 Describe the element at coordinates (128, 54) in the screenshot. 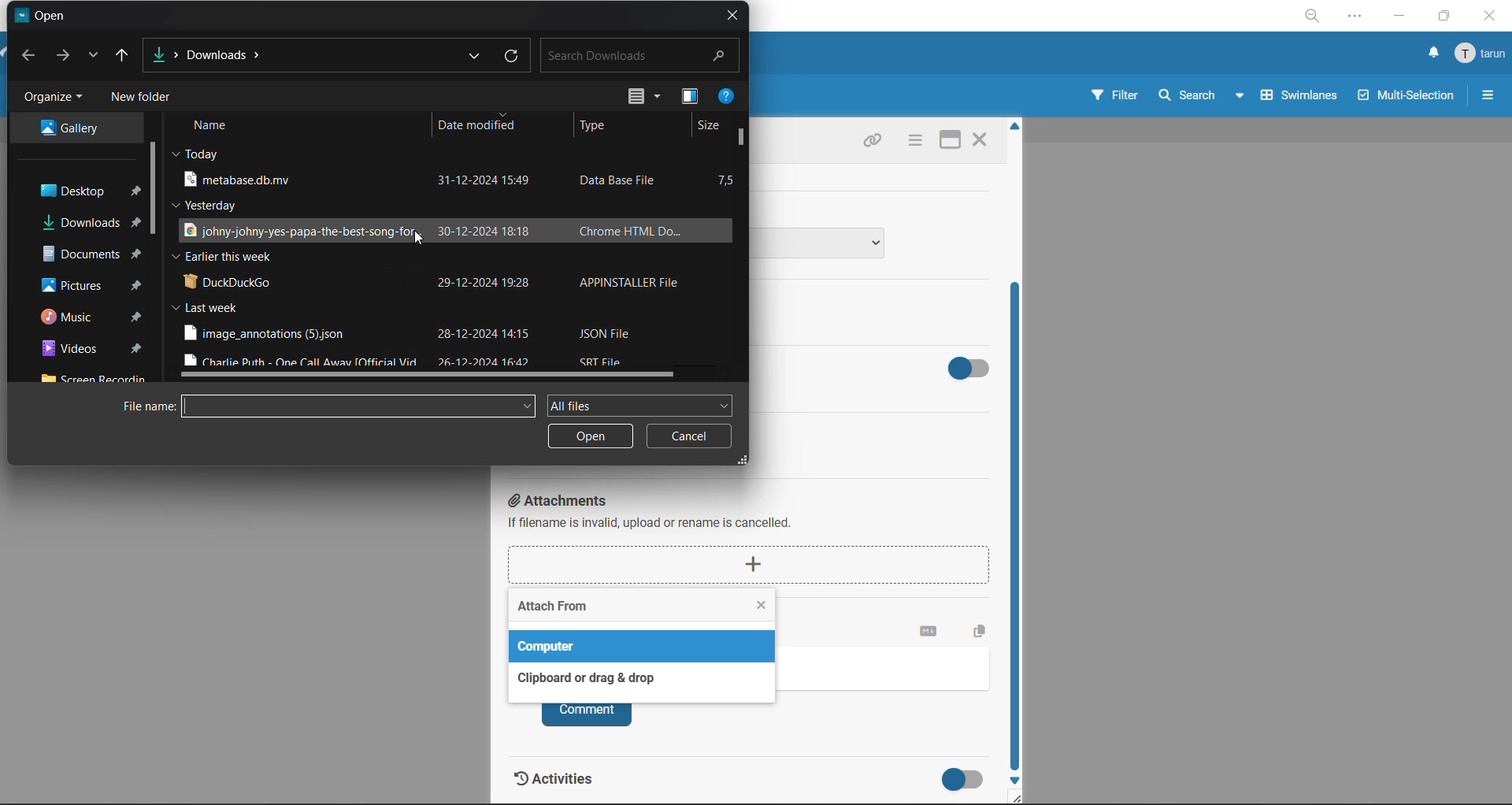

I see `up to desktop` at that location.